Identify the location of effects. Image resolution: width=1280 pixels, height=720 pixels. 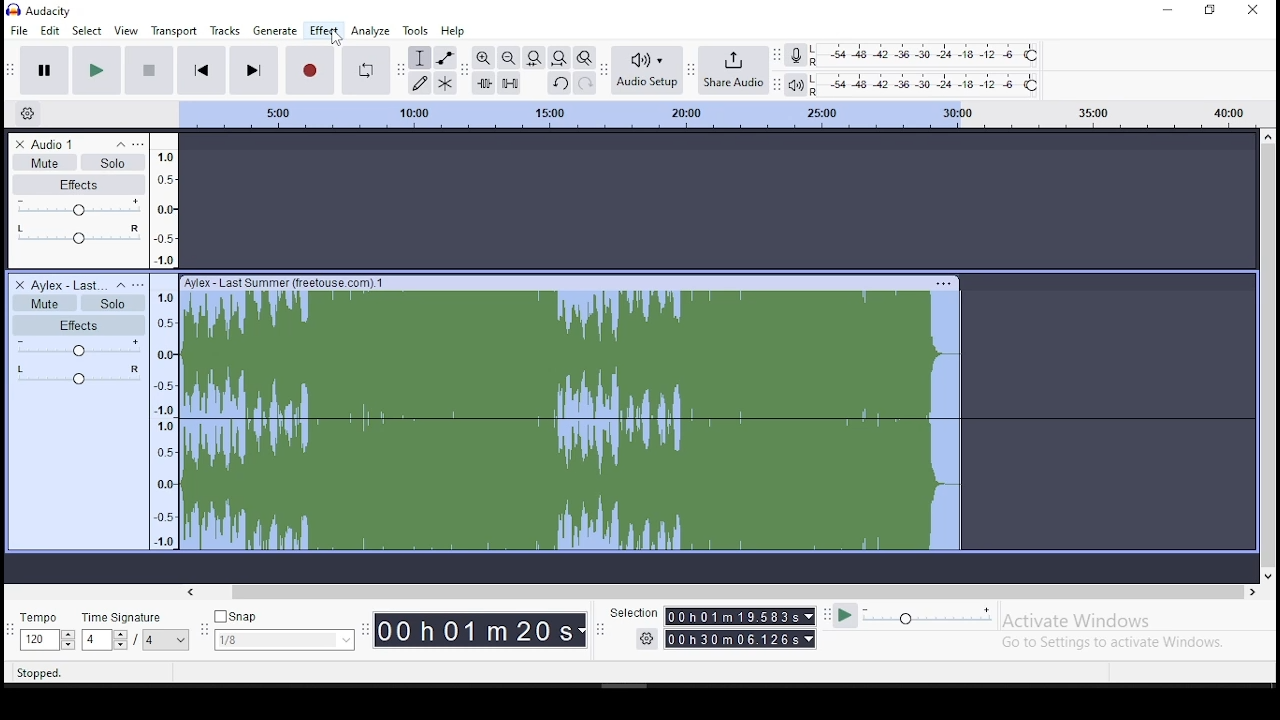
(79, 325).